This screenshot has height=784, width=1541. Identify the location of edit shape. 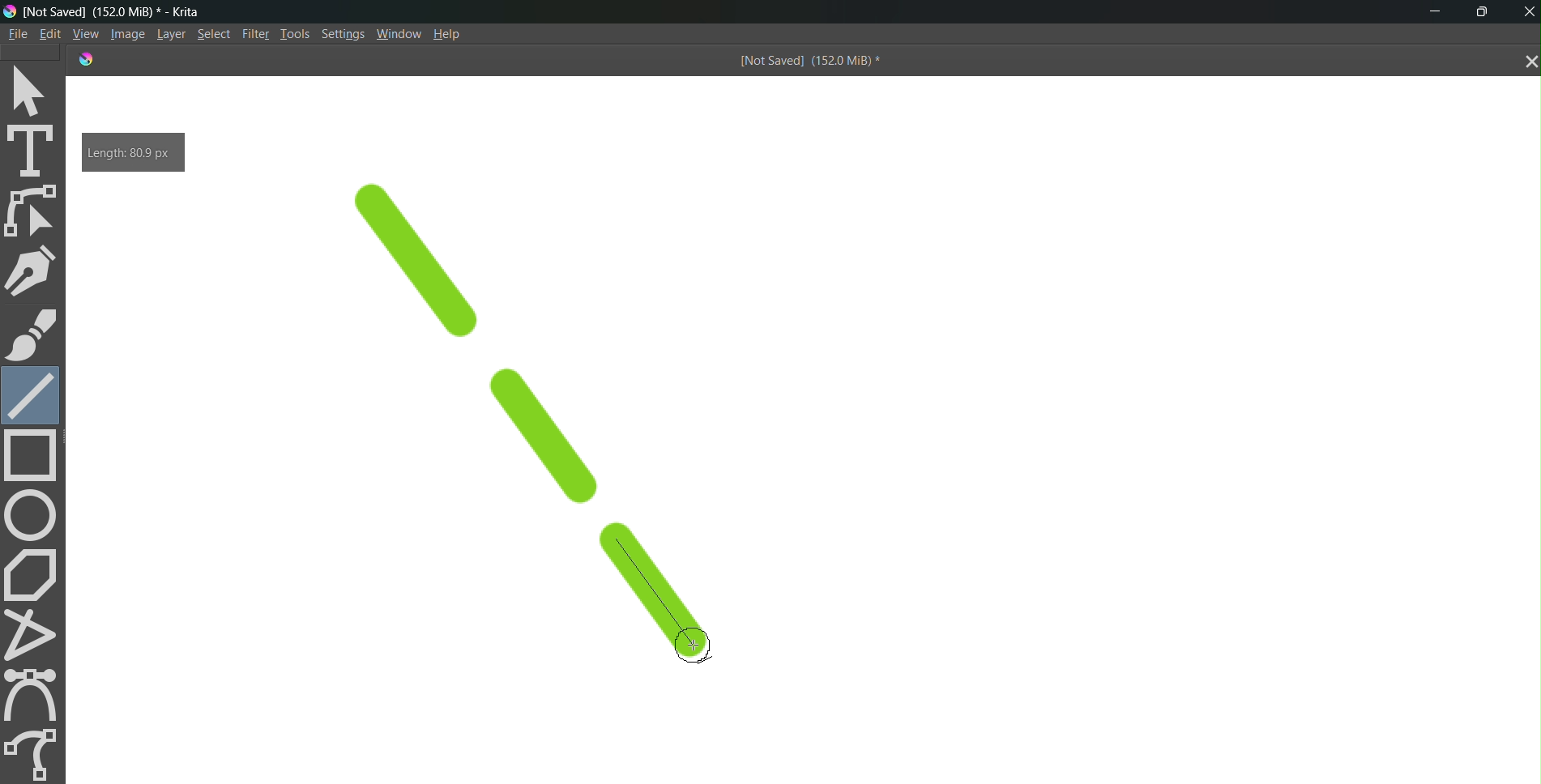
(35, 211).